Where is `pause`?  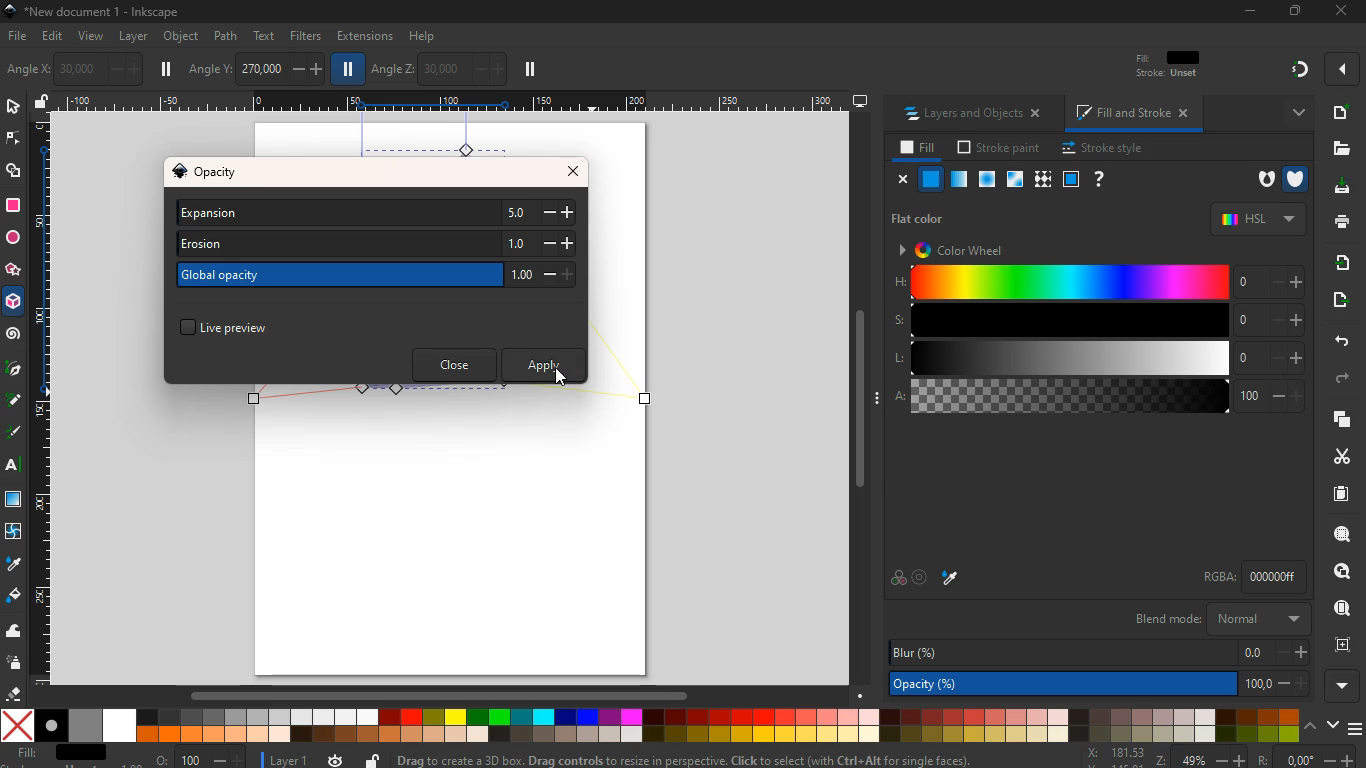 pause is located at coordinates (168, 69).